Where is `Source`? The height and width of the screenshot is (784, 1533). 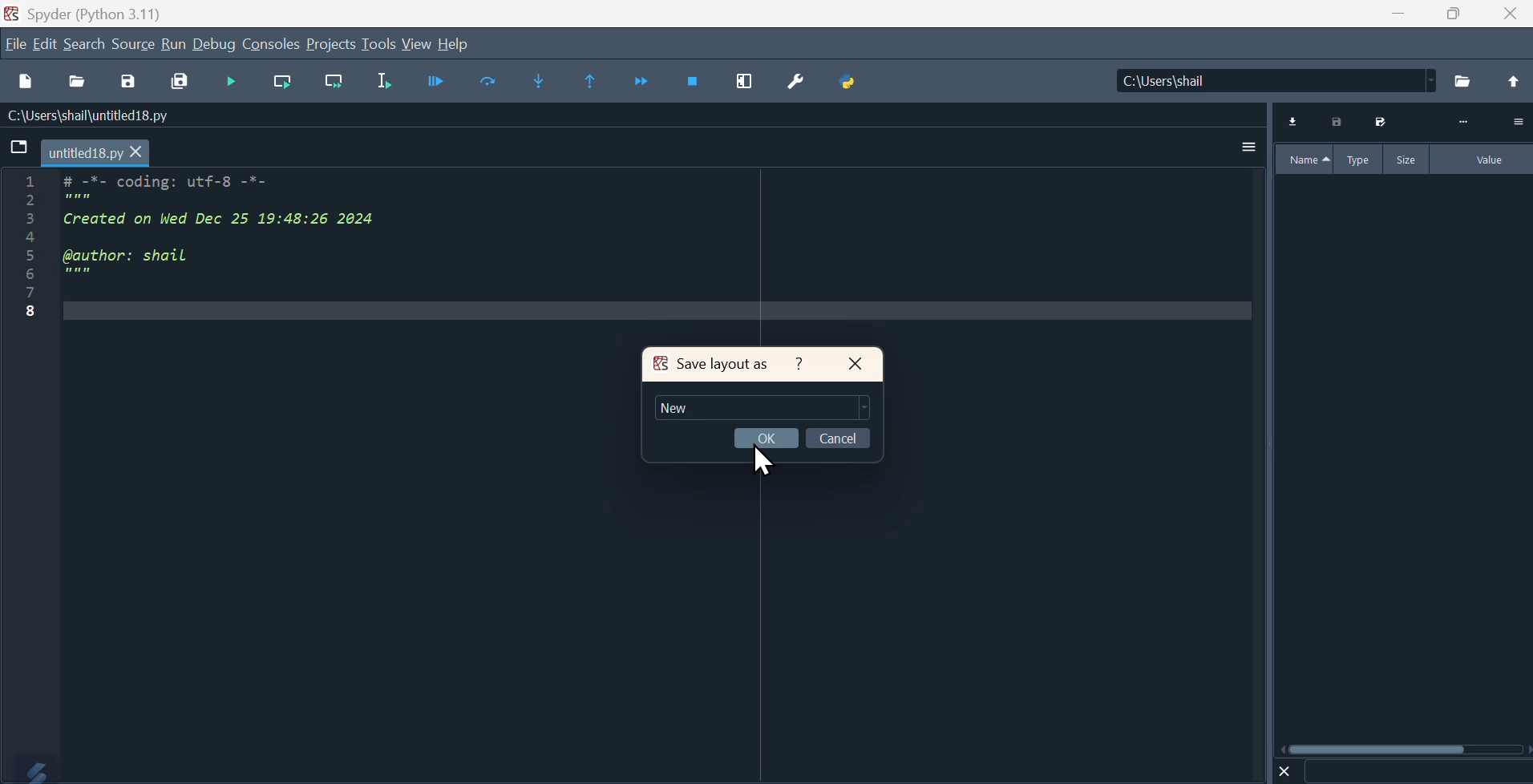
Source is located at coordinates (134, 43).